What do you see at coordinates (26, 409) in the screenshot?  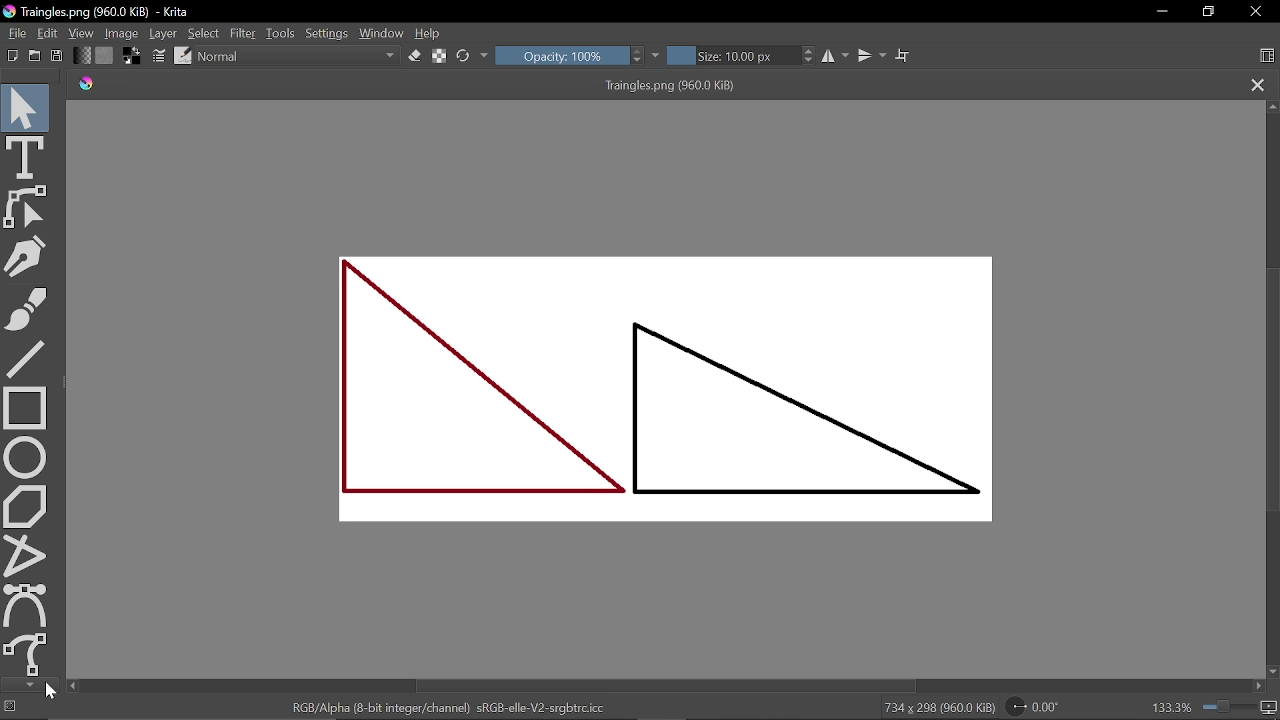 I see `Rectangle tool` at bounding box center [26, 409].